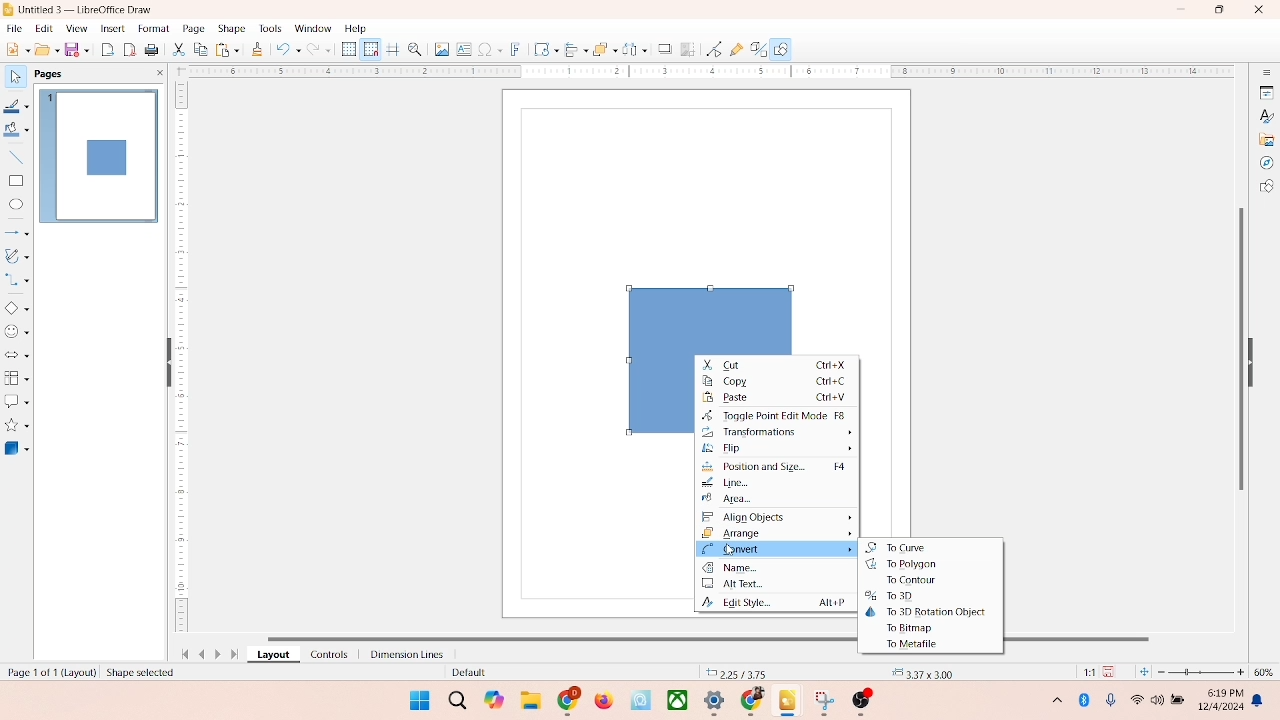 This screenshot has height=720, width=1280. I want to click on last page, so click(236, 655).